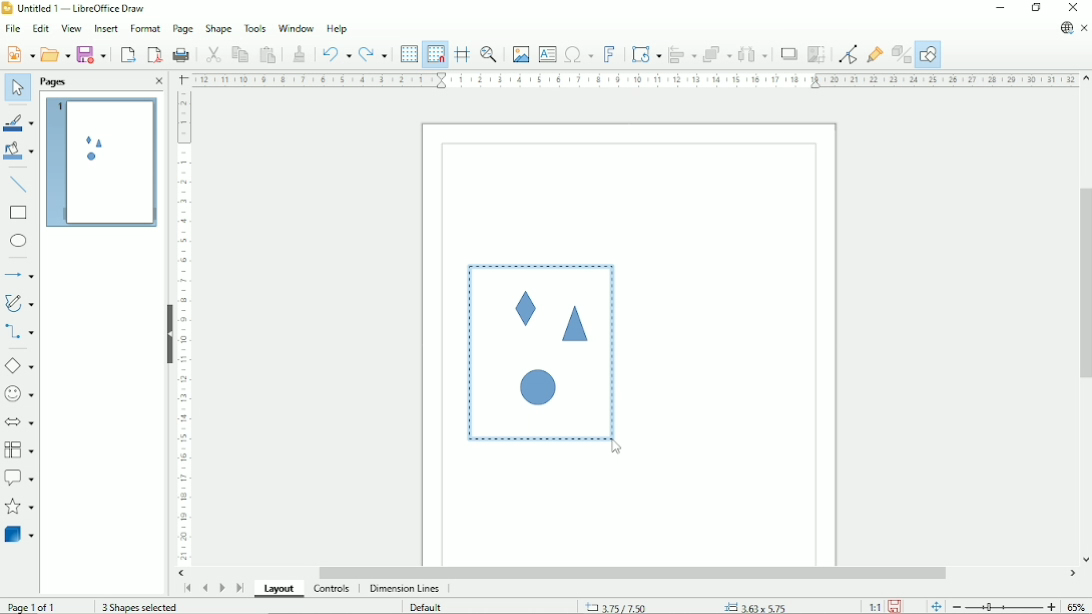 The height and width of the screenshot is (614, 1092). Describe the element at coordinates (105, 28) in the screenshot. I see `Insert` at that location.